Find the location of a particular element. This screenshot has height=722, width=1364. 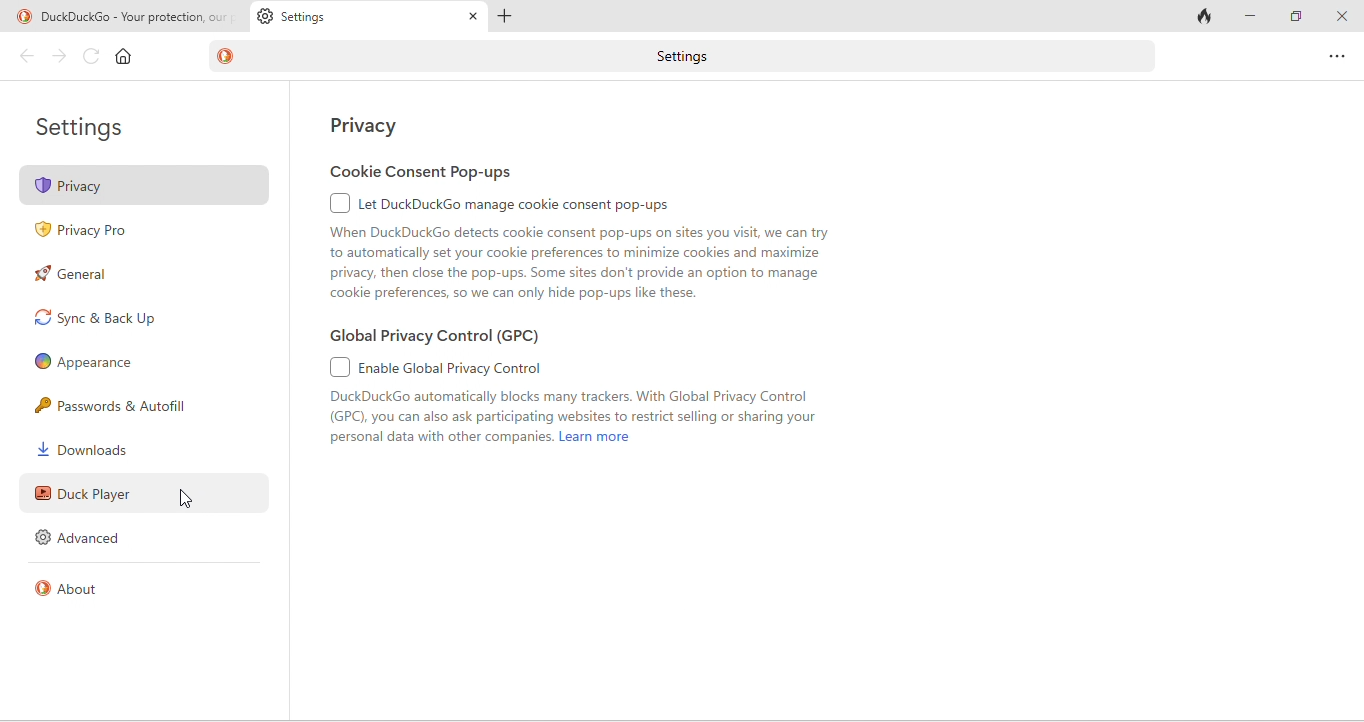

enable global privacy control is located at coordinates (581, 404).